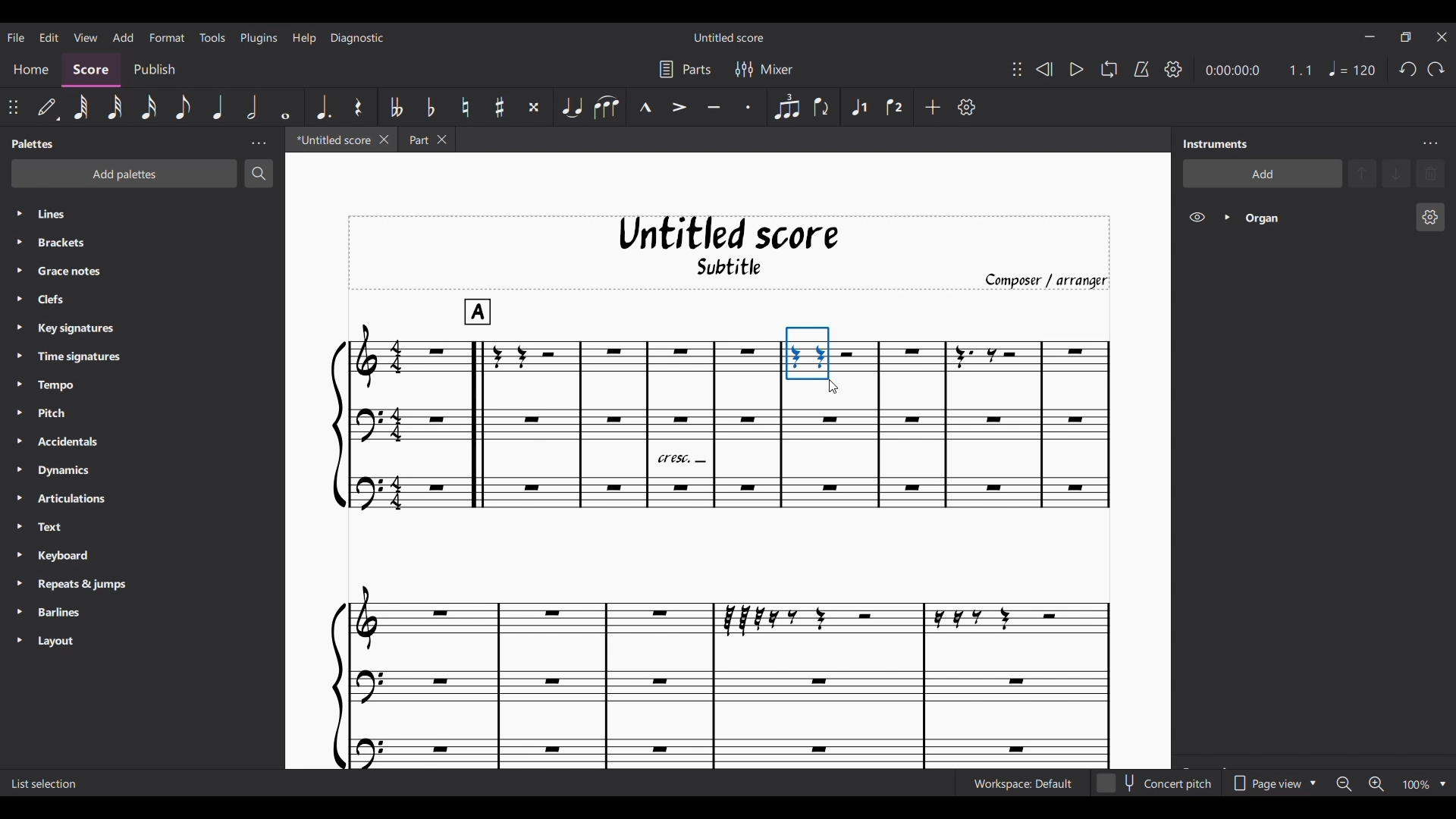 Image resolution: width=1456 pixels, height=819 pixels. Describe the element at coordinates (358, 37) in the screenshot. I see `Diagnostic menu` at that location.